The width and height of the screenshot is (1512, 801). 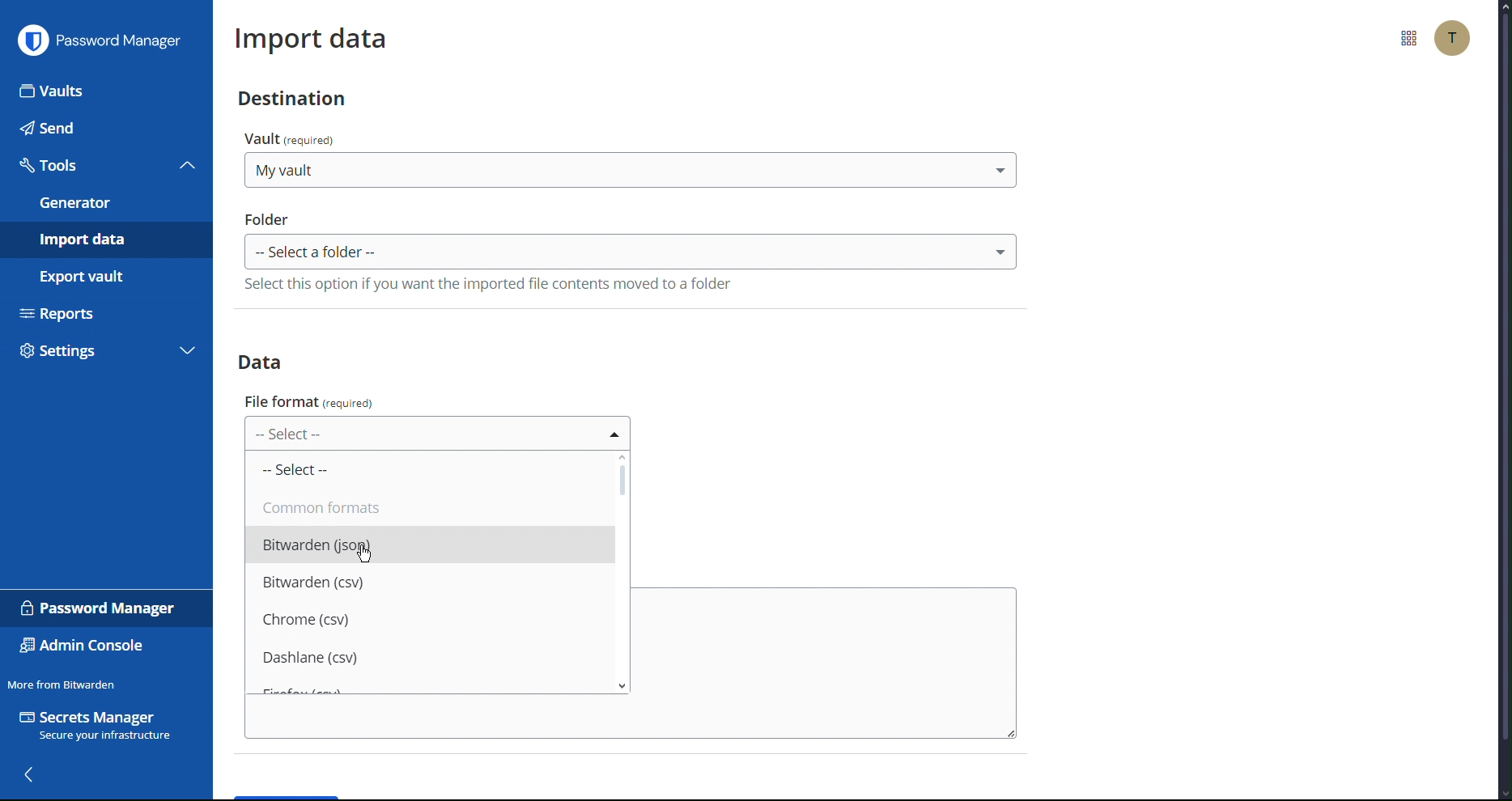 I want to click on Bitwarden (json), so click(x=431, y=547).